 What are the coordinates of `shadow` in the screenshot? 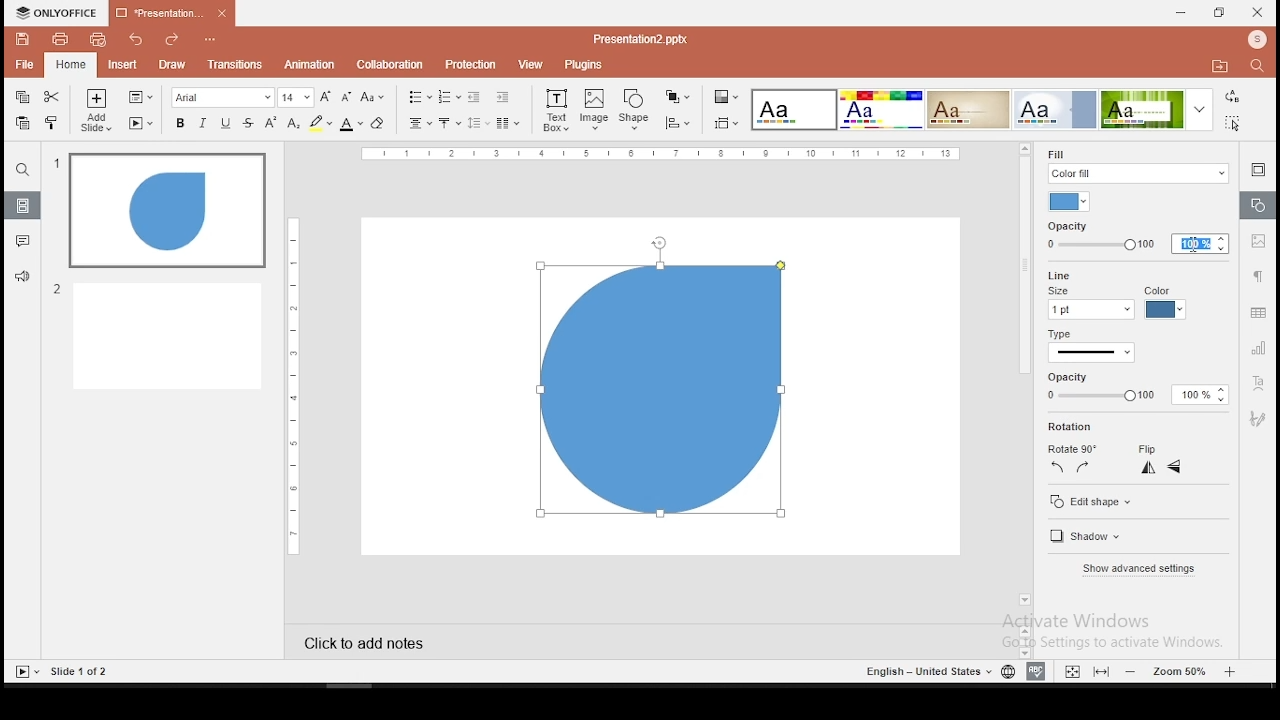 It's located at (1089, 538).